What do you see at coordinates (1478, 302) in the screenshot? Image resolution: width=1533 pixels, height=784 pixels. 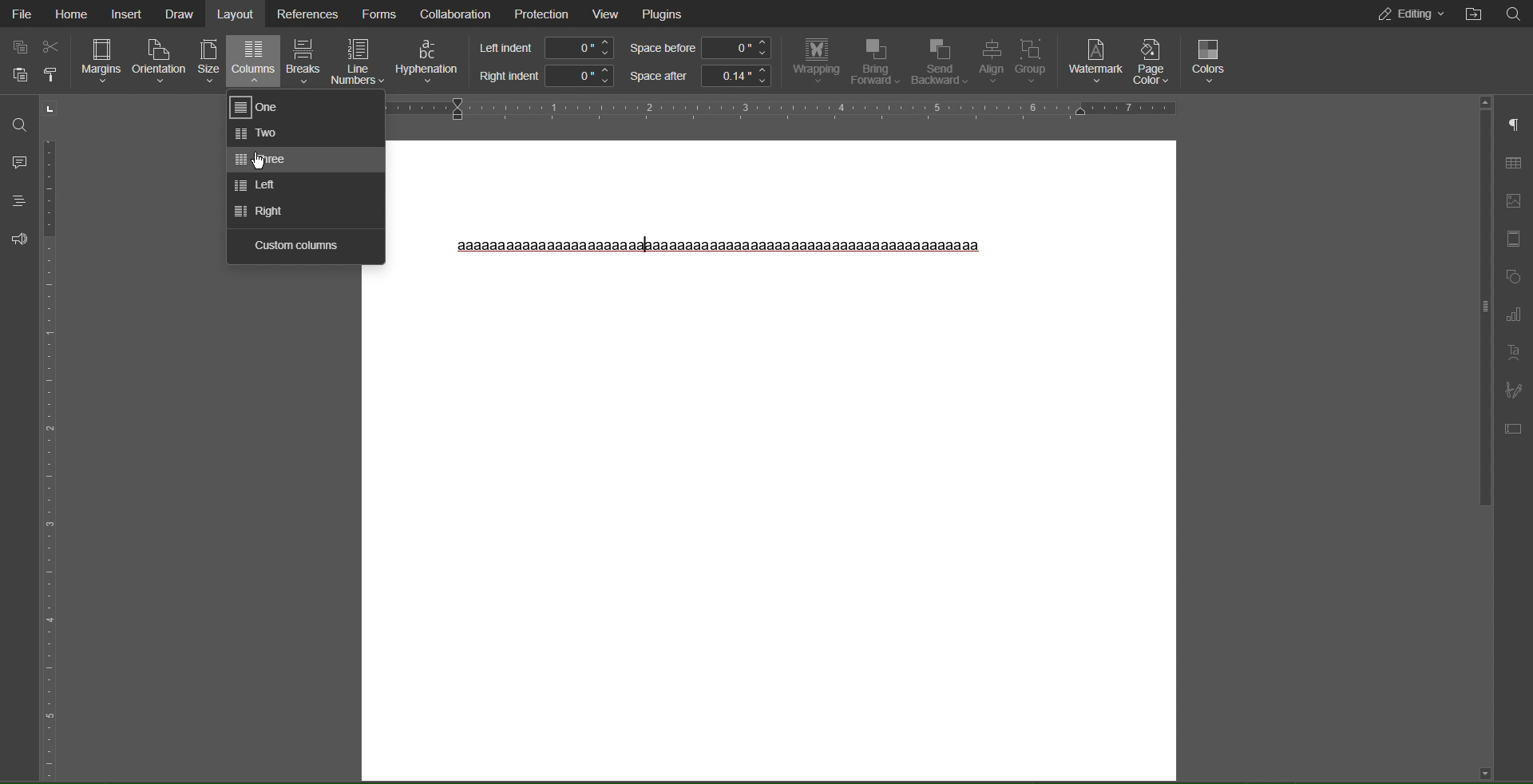 I see `slider` at bounding box center [1478, 302].